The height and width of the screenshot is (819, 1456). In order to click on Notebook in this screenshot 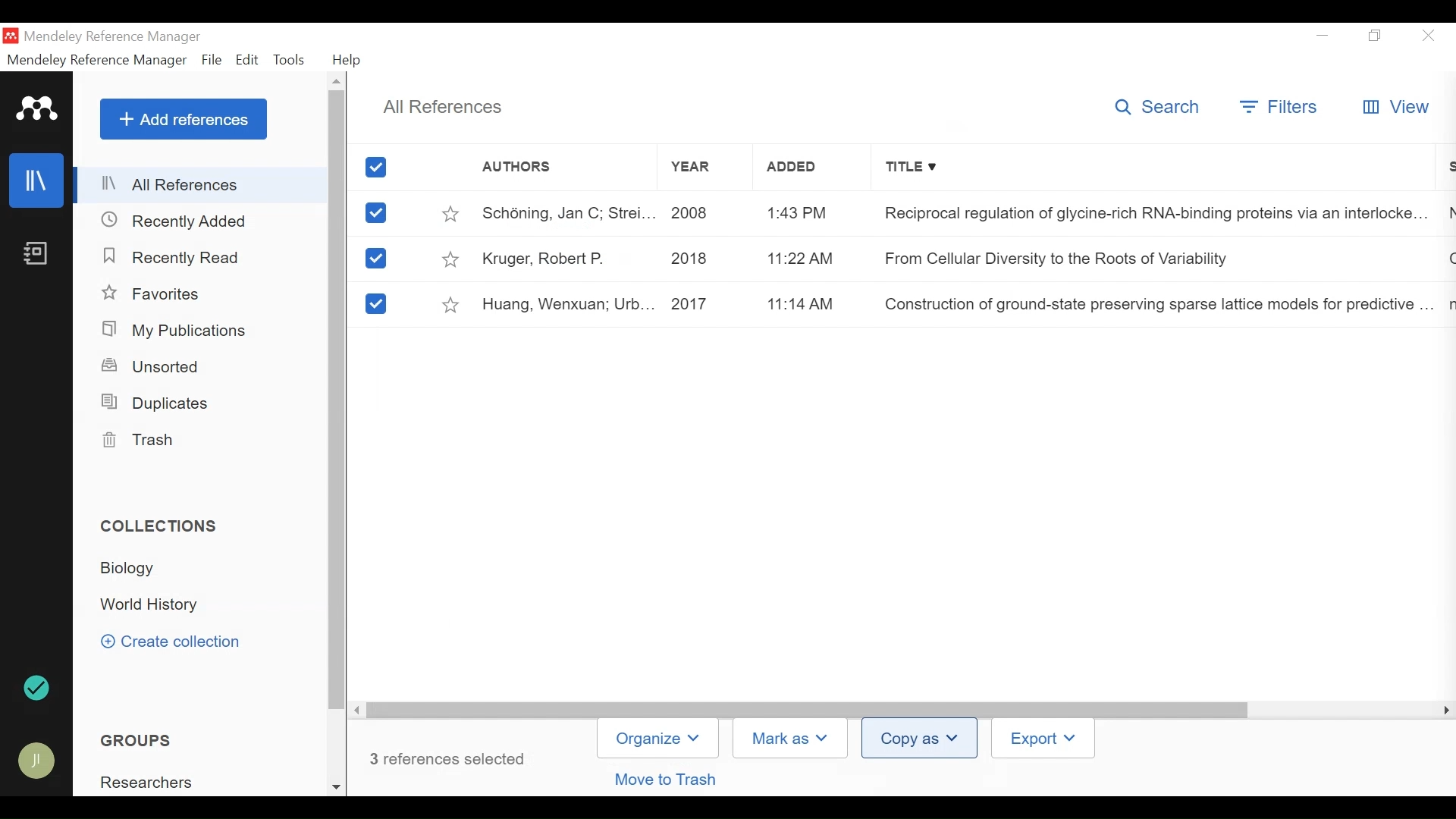, I will do `click(36, 255)`.